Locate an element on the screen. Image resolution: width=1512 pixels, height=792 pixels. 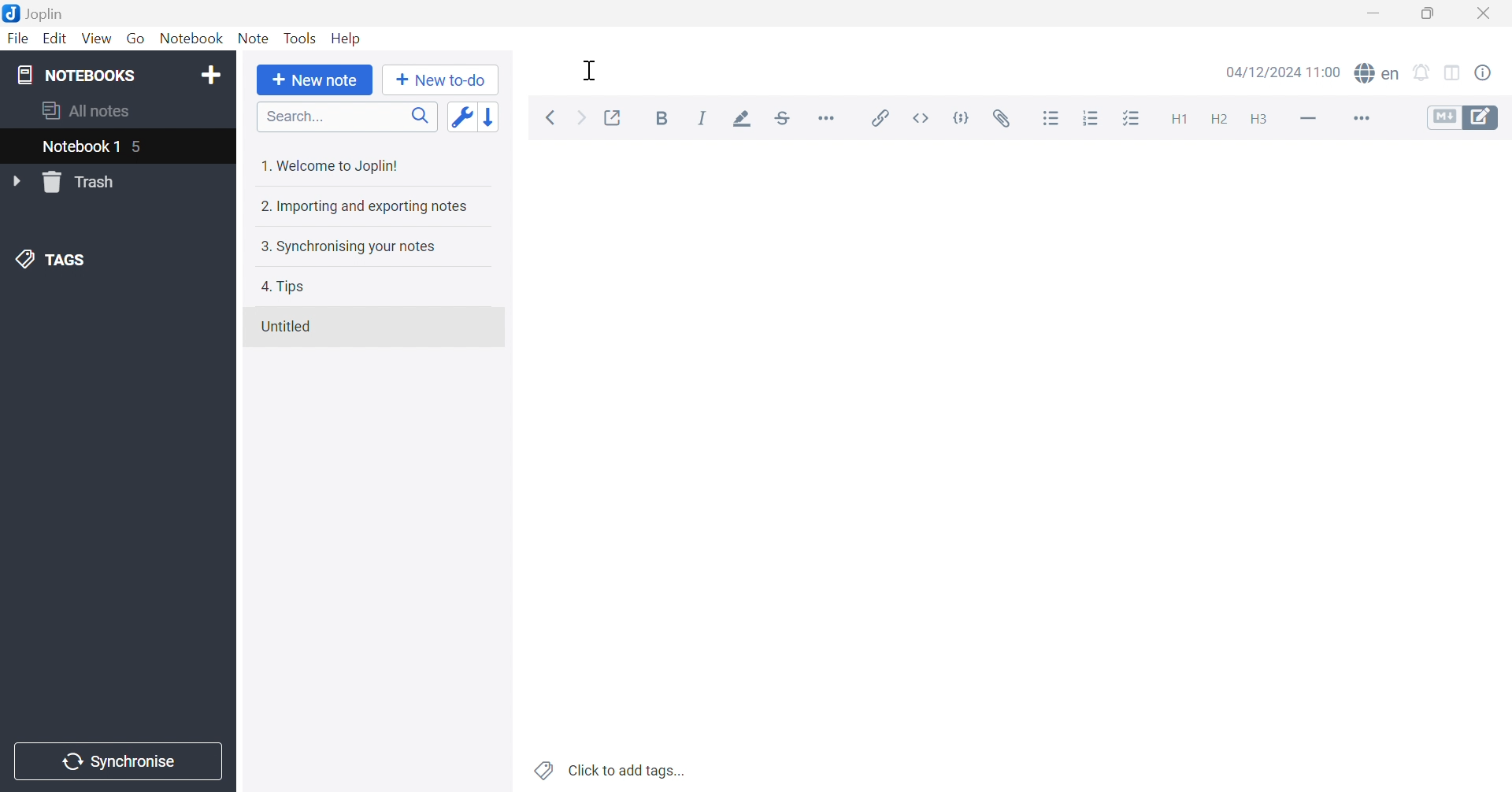
Heading 3 is located at coordinates (1259, 122).